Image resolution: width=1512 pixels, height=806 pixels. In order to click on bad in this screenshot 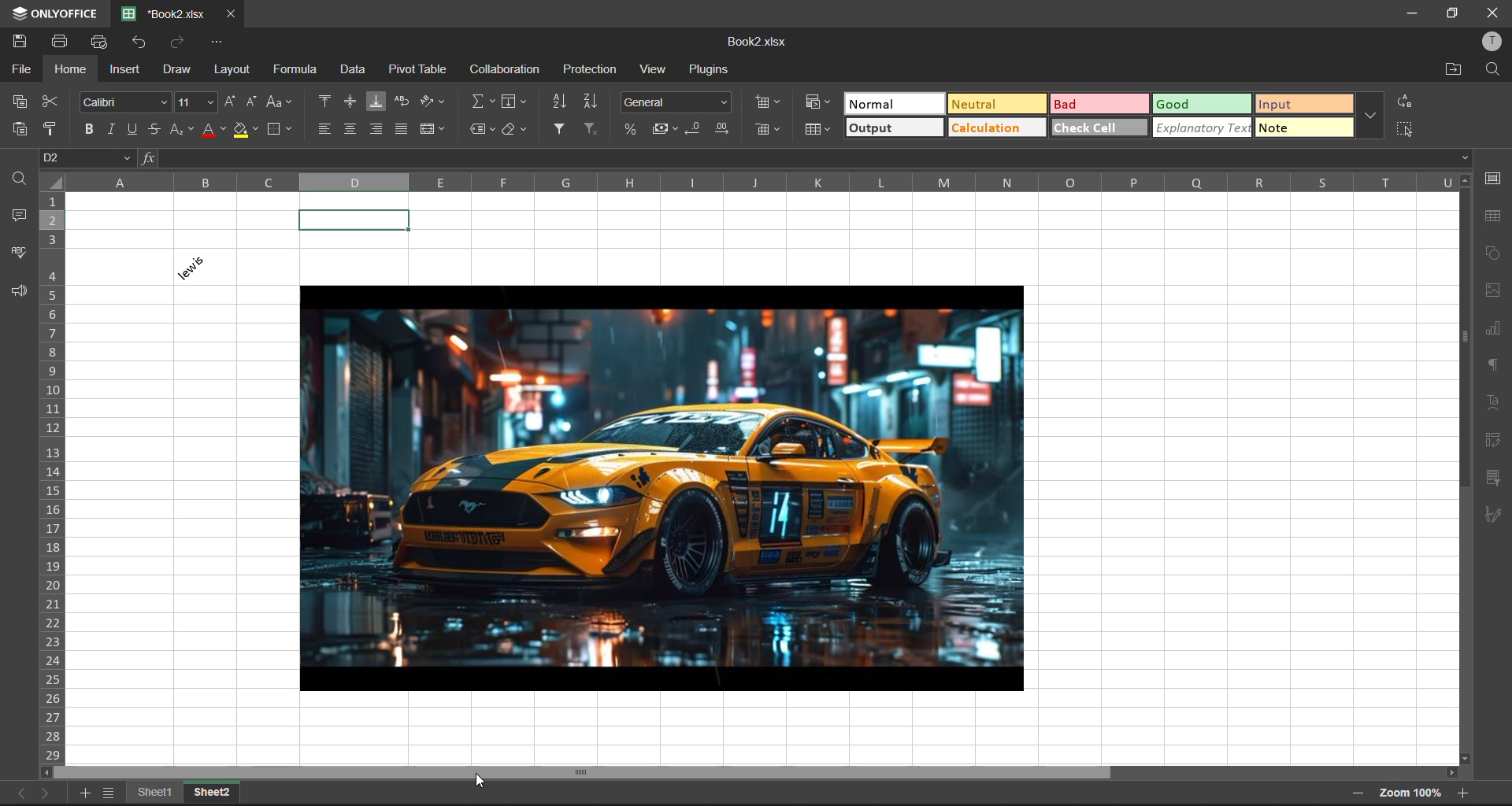, I will do `click(1100, 104)`.